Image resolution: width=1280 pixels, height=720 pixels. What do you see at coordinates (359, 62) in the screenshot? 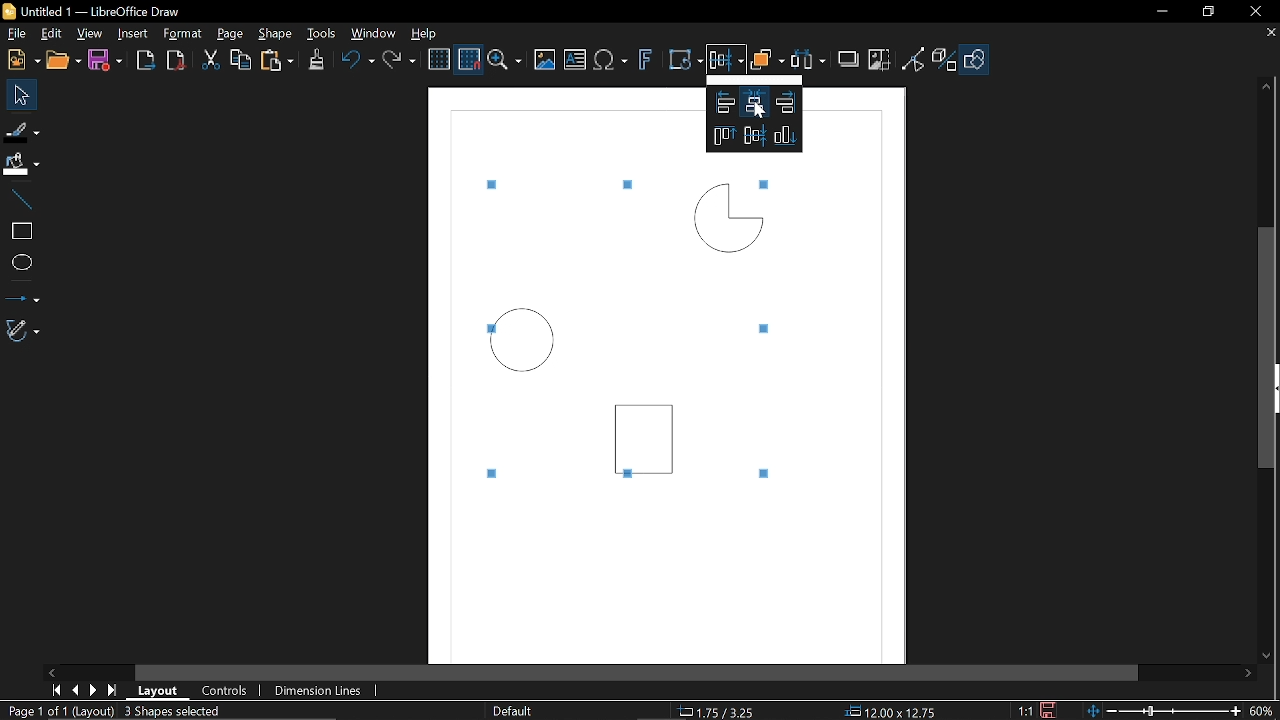
I see `undo` at bounding box center [359, 62].